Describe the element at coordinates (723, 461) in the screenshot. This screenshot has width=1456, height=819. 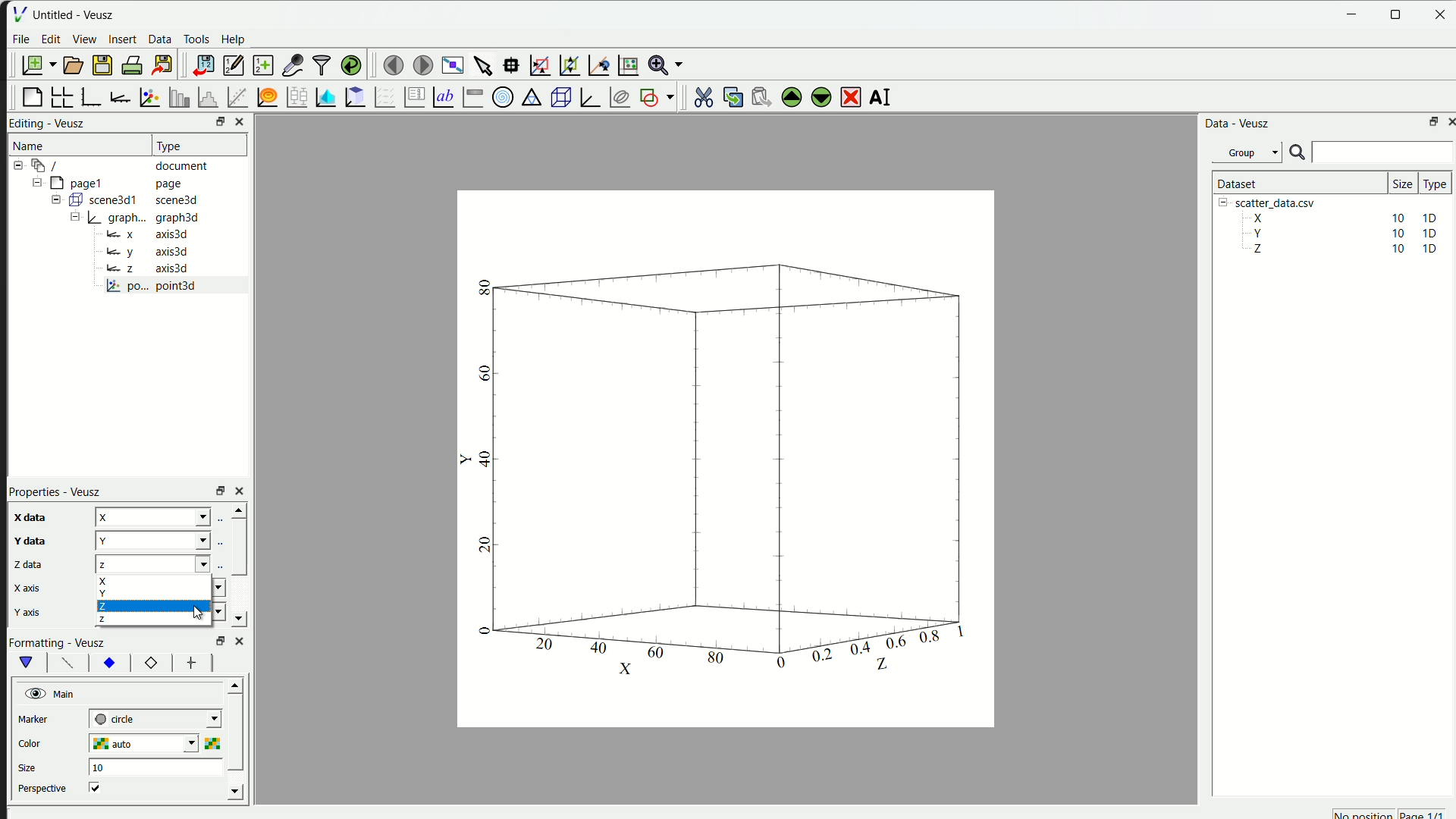
I see `canvas` at that location.